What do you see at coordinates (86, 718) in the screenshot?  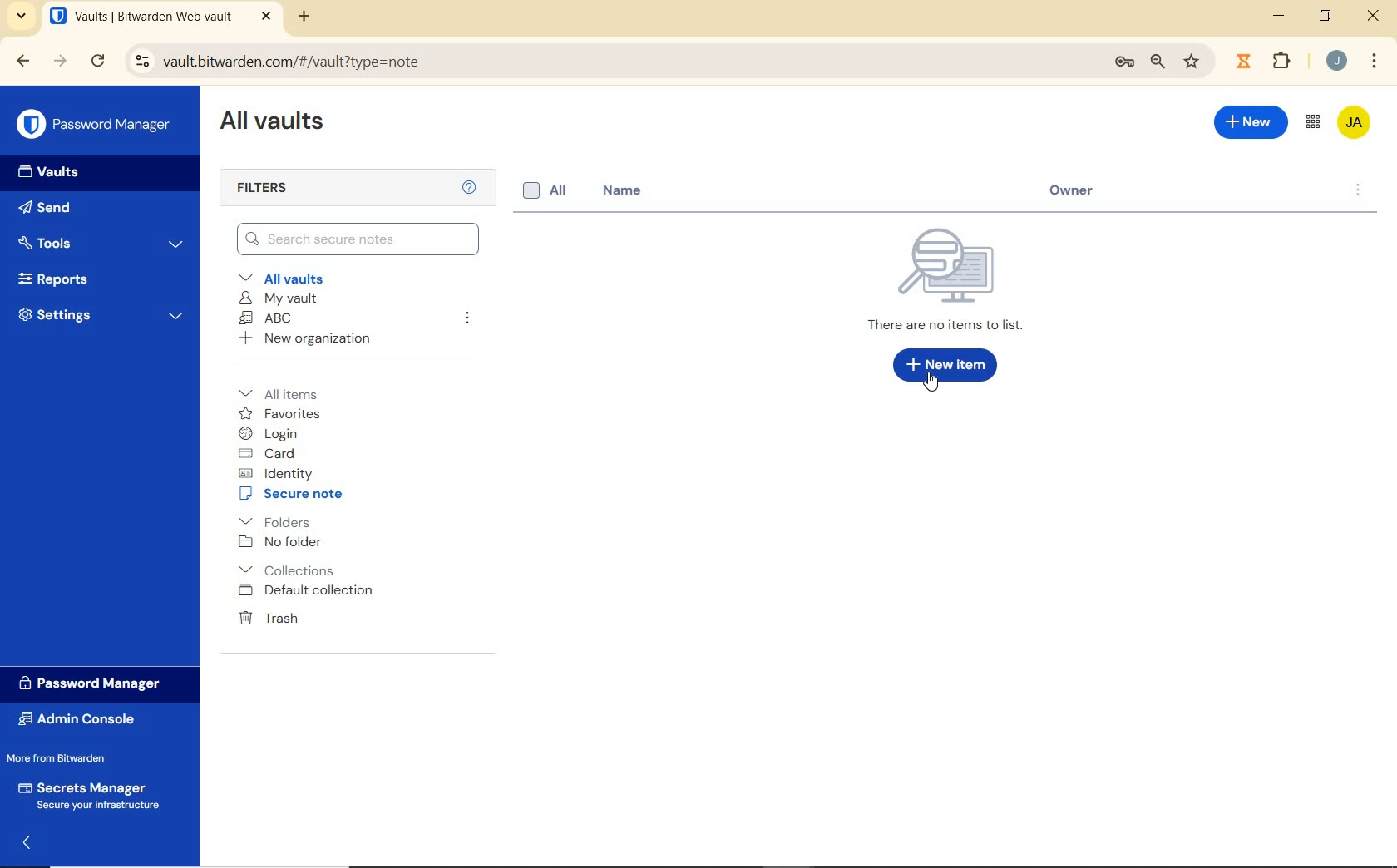 I see `Admin Console` at bounding box center [86, 718].